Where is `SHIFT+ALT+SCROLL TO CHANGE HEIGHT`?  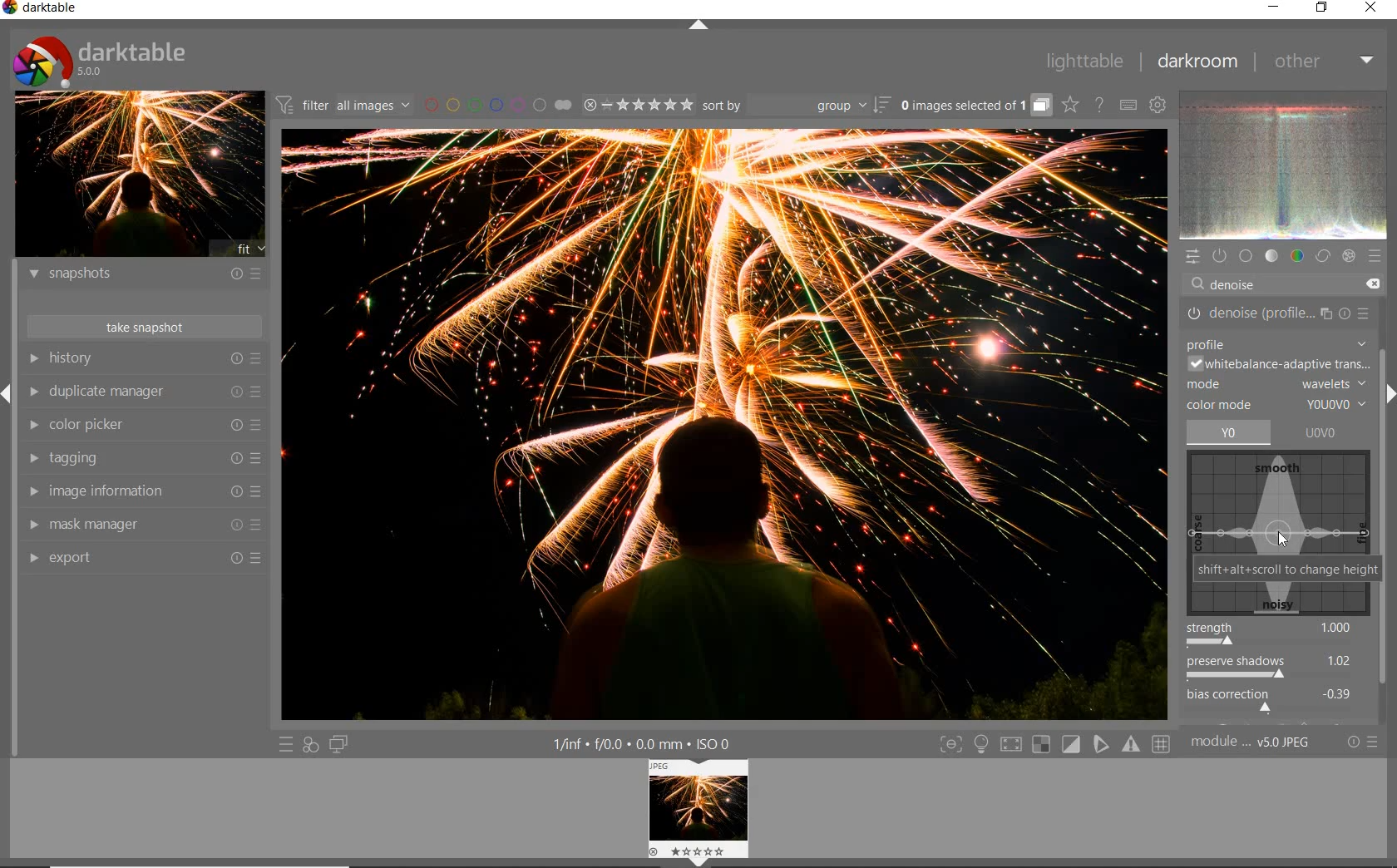 SHIFT+ALT+SCROLL TO CHANGE HEIGHT is located at coordinates (1285, 570).